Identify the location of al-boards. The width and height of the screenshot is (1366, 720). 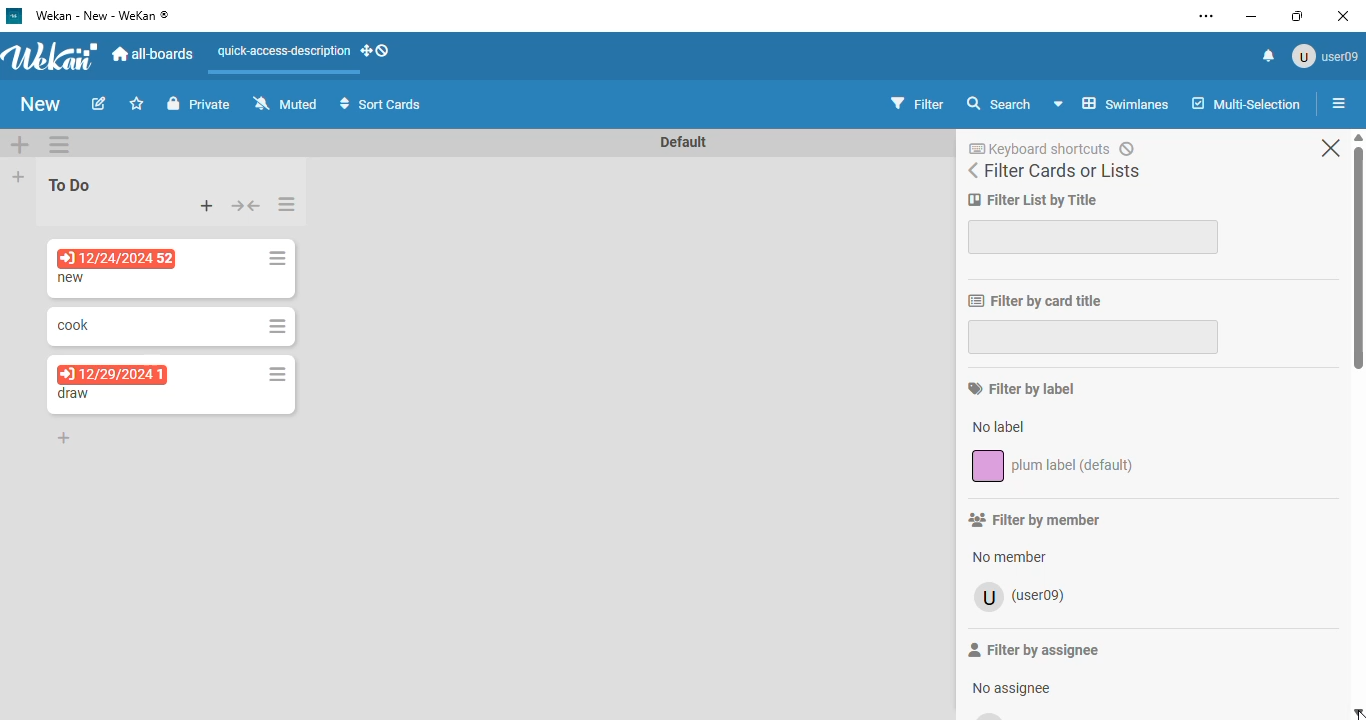
(154, 55).